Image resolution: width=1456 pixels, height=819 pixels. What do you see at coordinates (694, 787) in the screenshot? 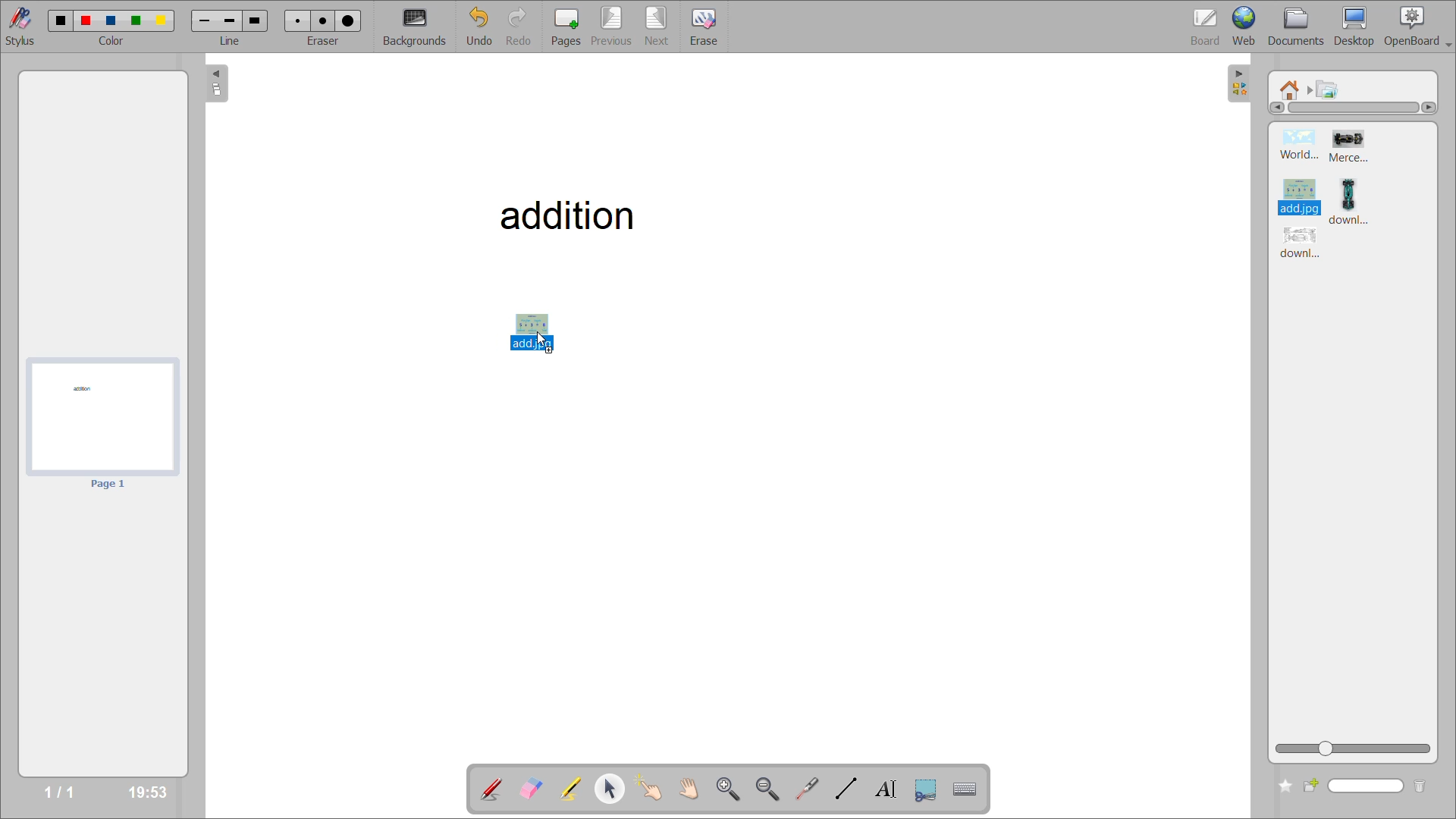
I see `scroll page` at bounding box center [694, 787].